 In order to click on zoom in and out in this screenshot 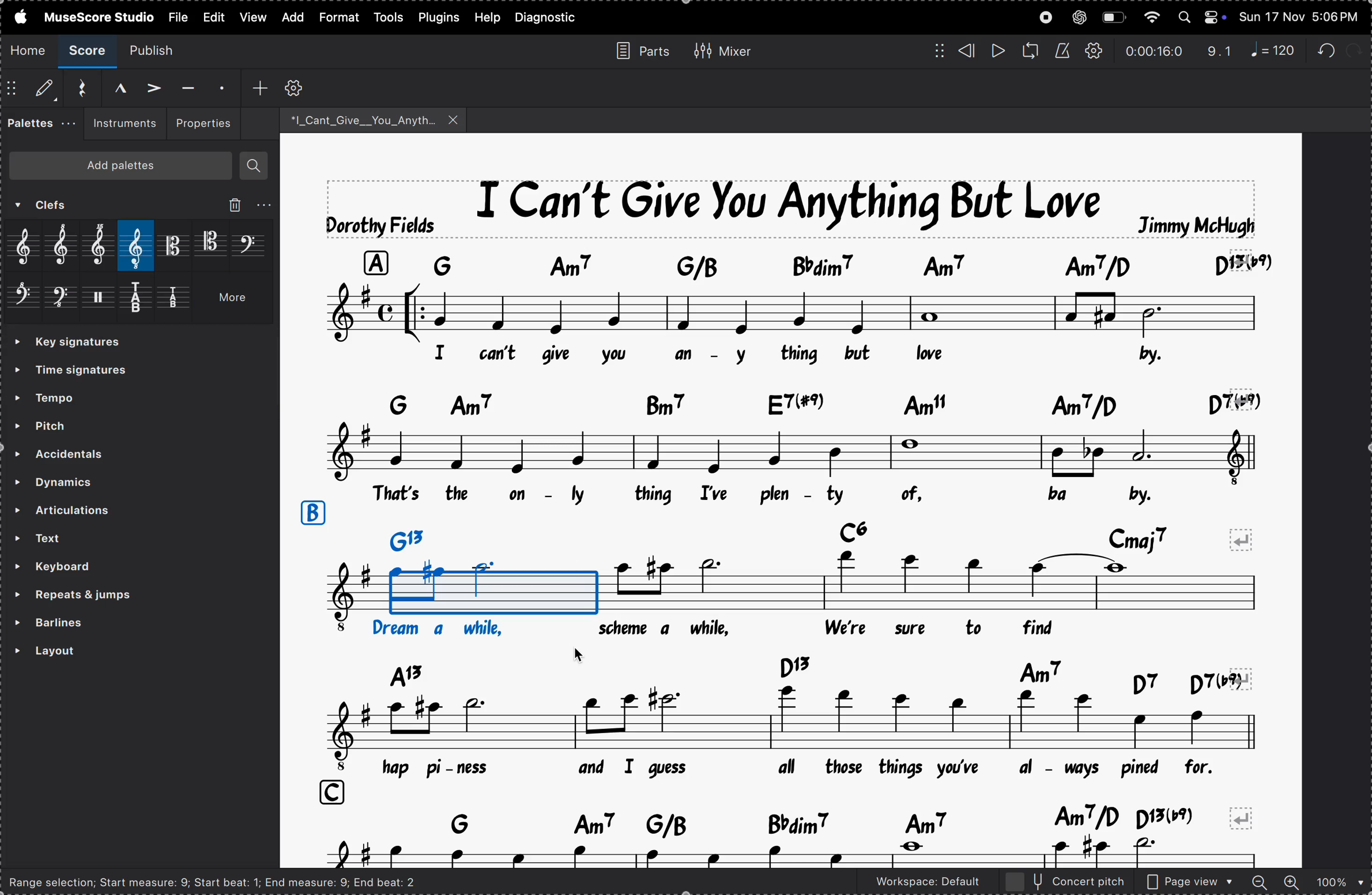, I will do `click(1307, 883)`.